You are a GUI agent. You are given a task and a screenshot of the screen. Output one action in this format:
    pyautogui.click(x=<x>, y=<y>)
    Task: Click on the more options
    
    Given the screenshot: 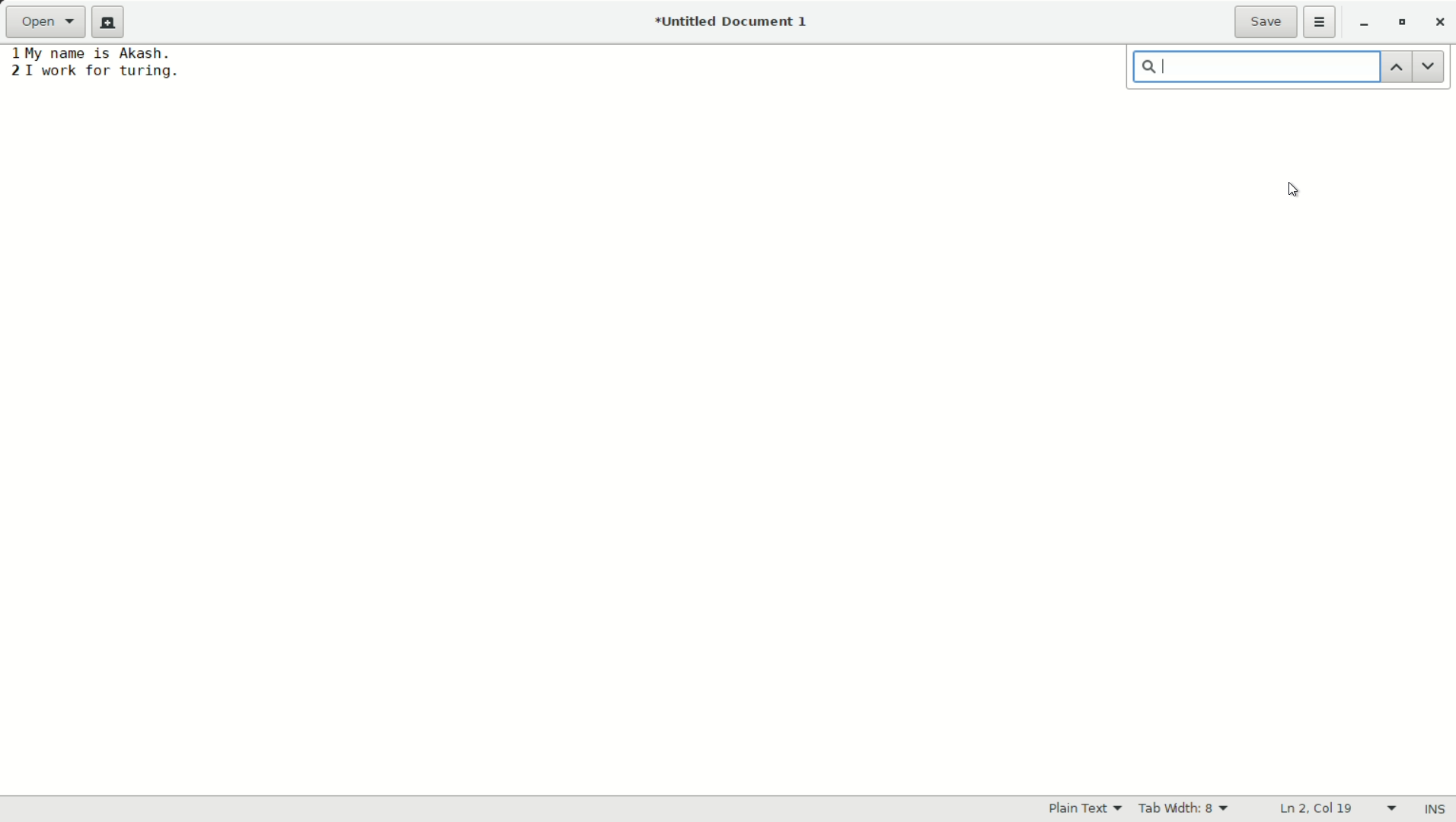 What is the action you would take?
    pyautogui.click(x=1321, y=22)
    